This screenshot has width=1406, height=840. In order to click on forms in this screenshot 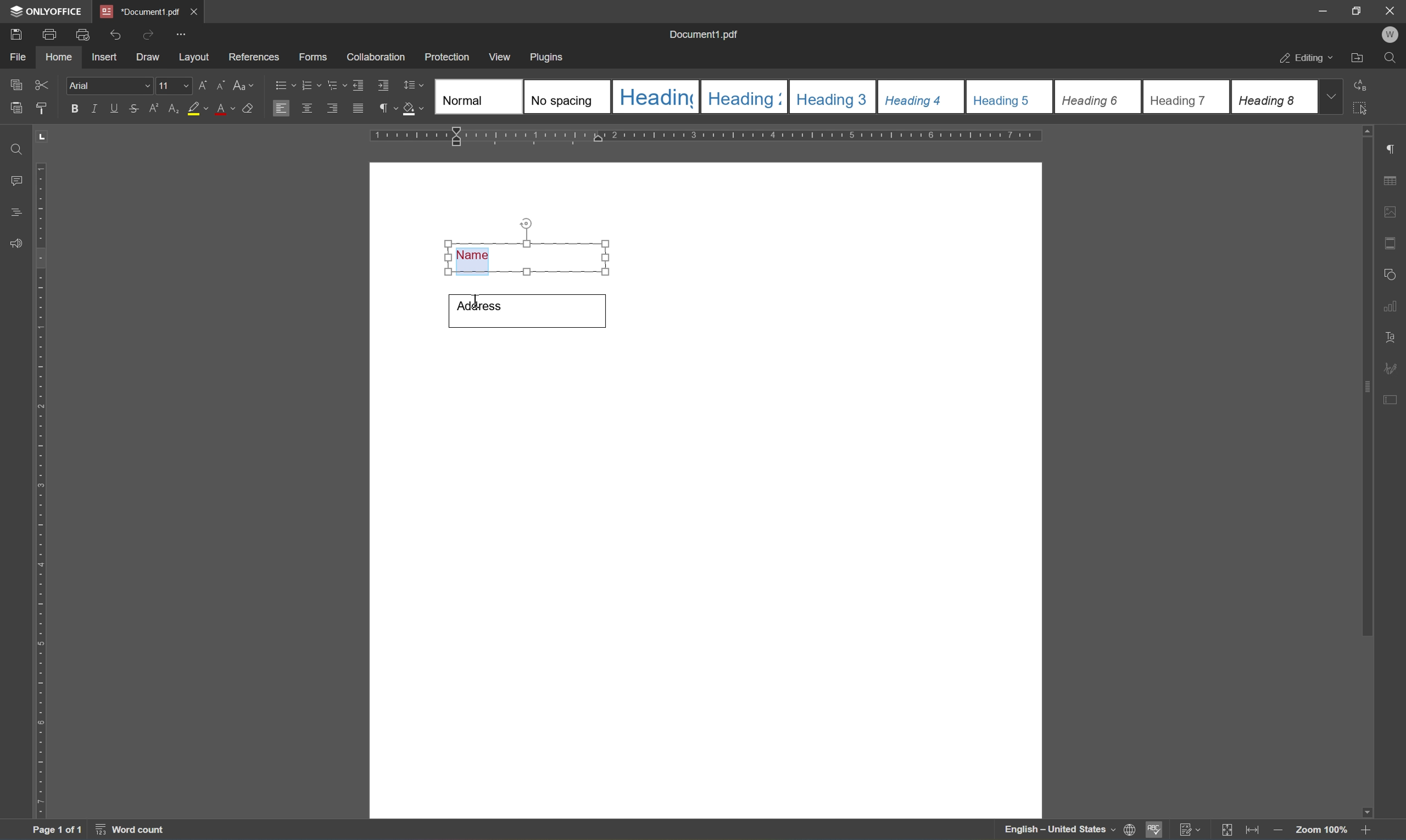, I will do `click(312, 57)`.